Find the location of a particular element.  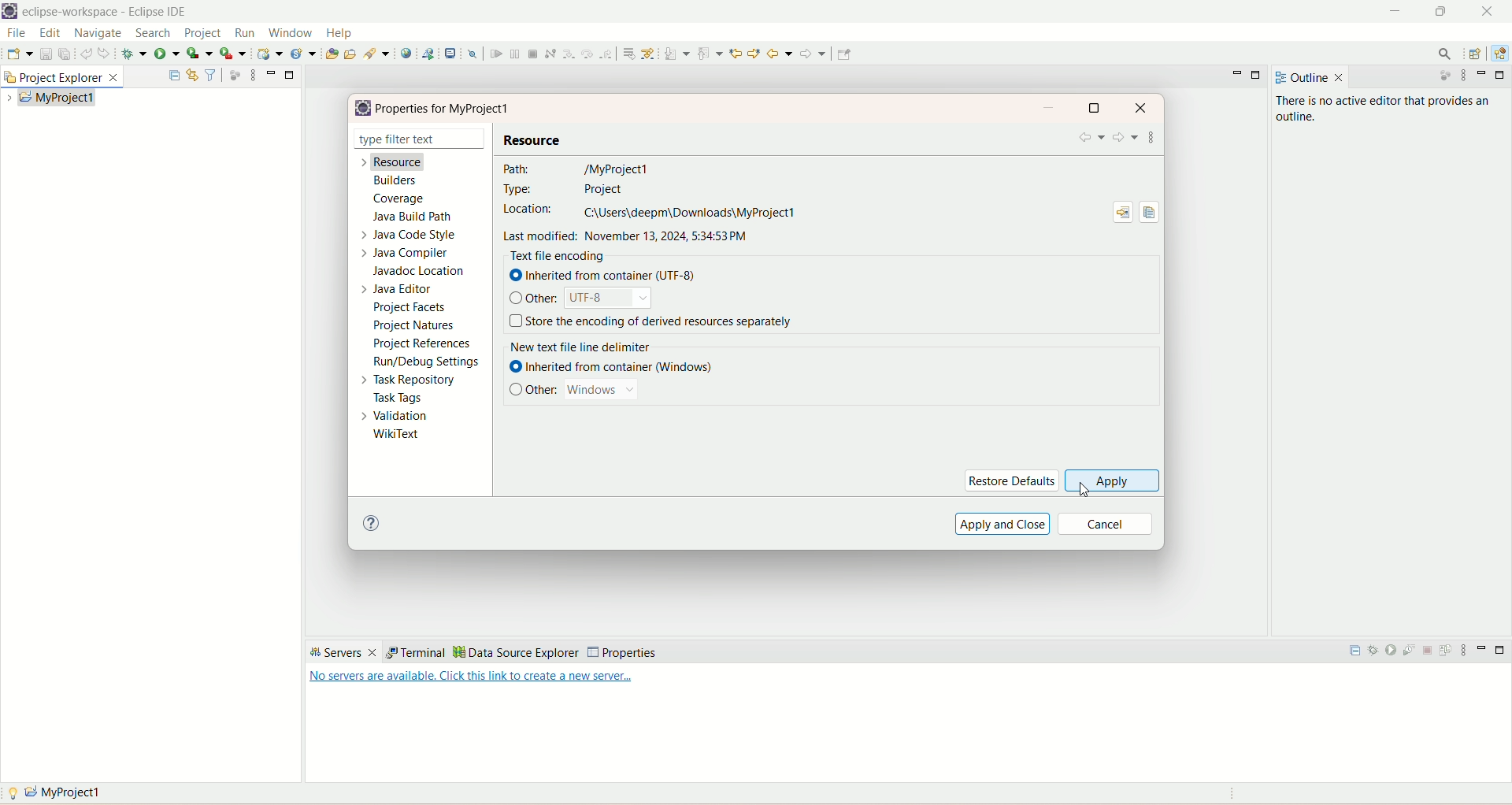

run is located at coordinates (169, 54).